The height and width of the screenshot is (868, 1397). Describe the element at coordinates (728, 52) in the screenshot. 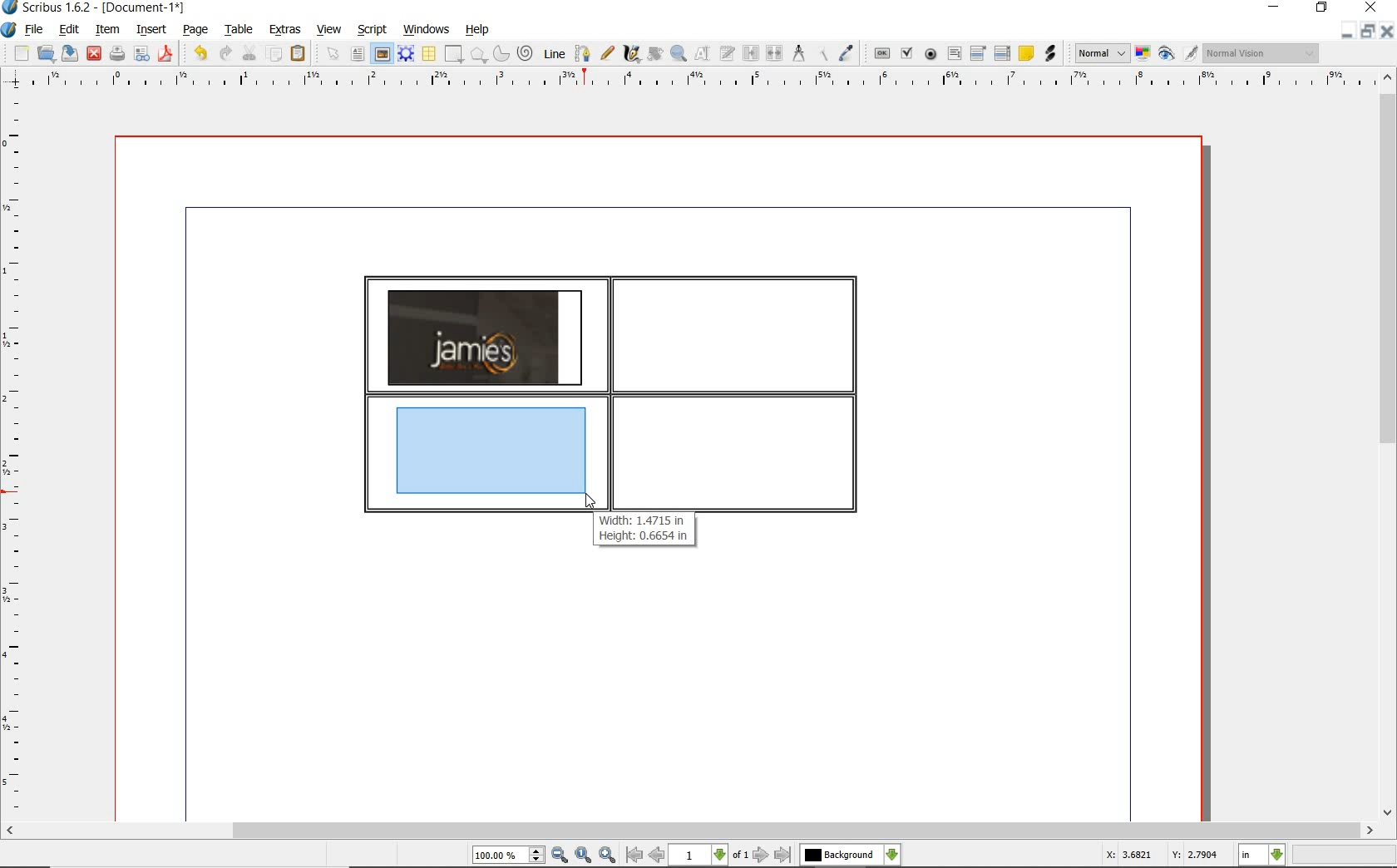

I see `edit text with story editor` at that location.